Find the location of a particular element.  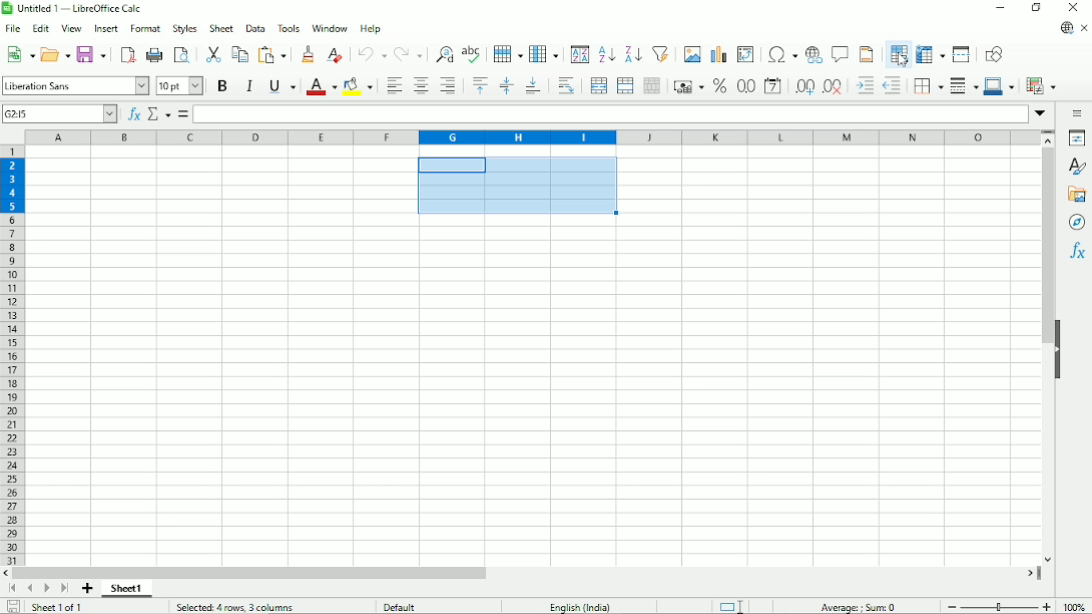

Styles is located at coordinates (1076, 167).